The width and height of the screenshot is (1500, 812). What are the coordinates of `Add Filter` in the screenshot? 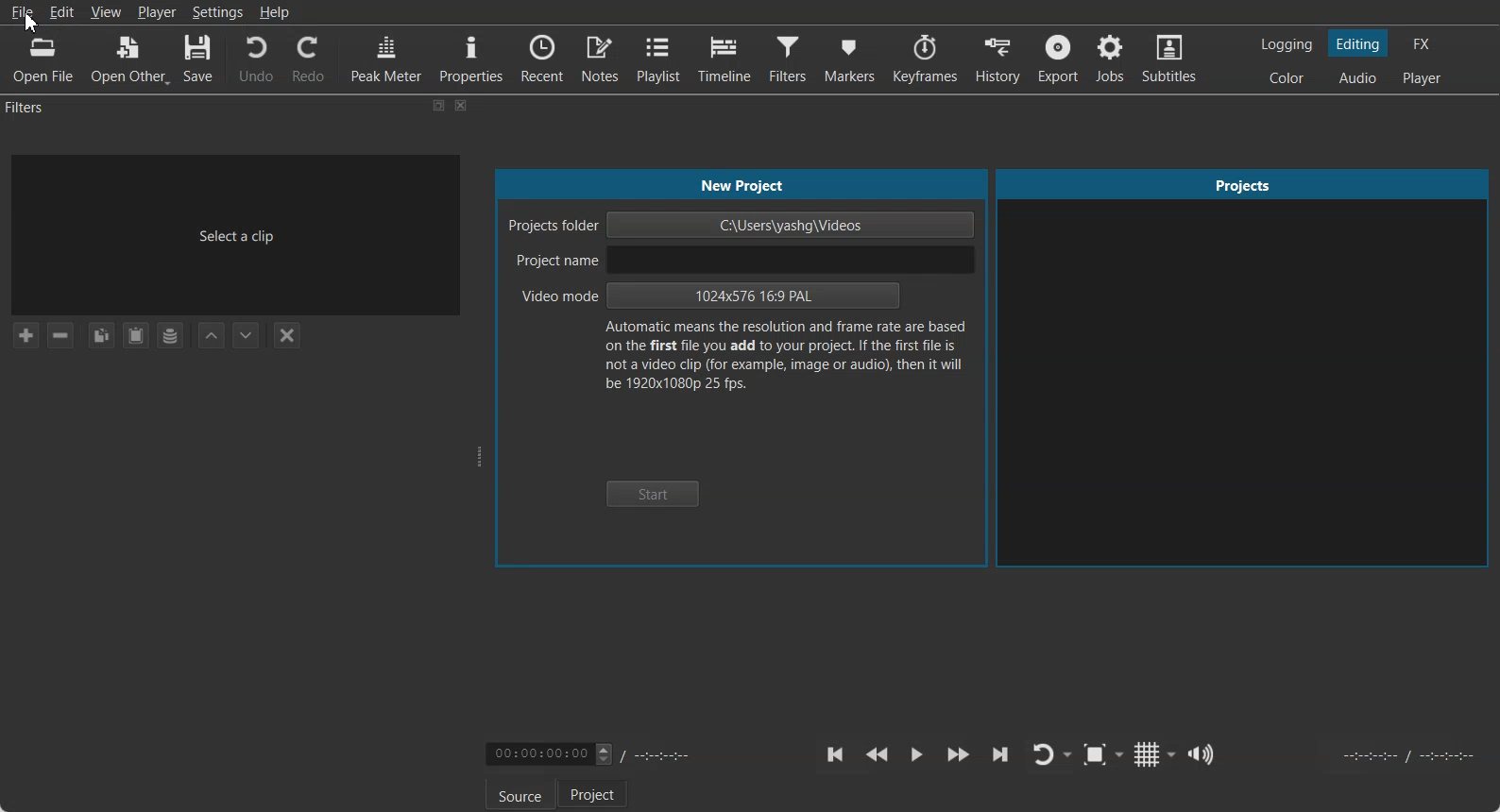 It's located at (25, 334).